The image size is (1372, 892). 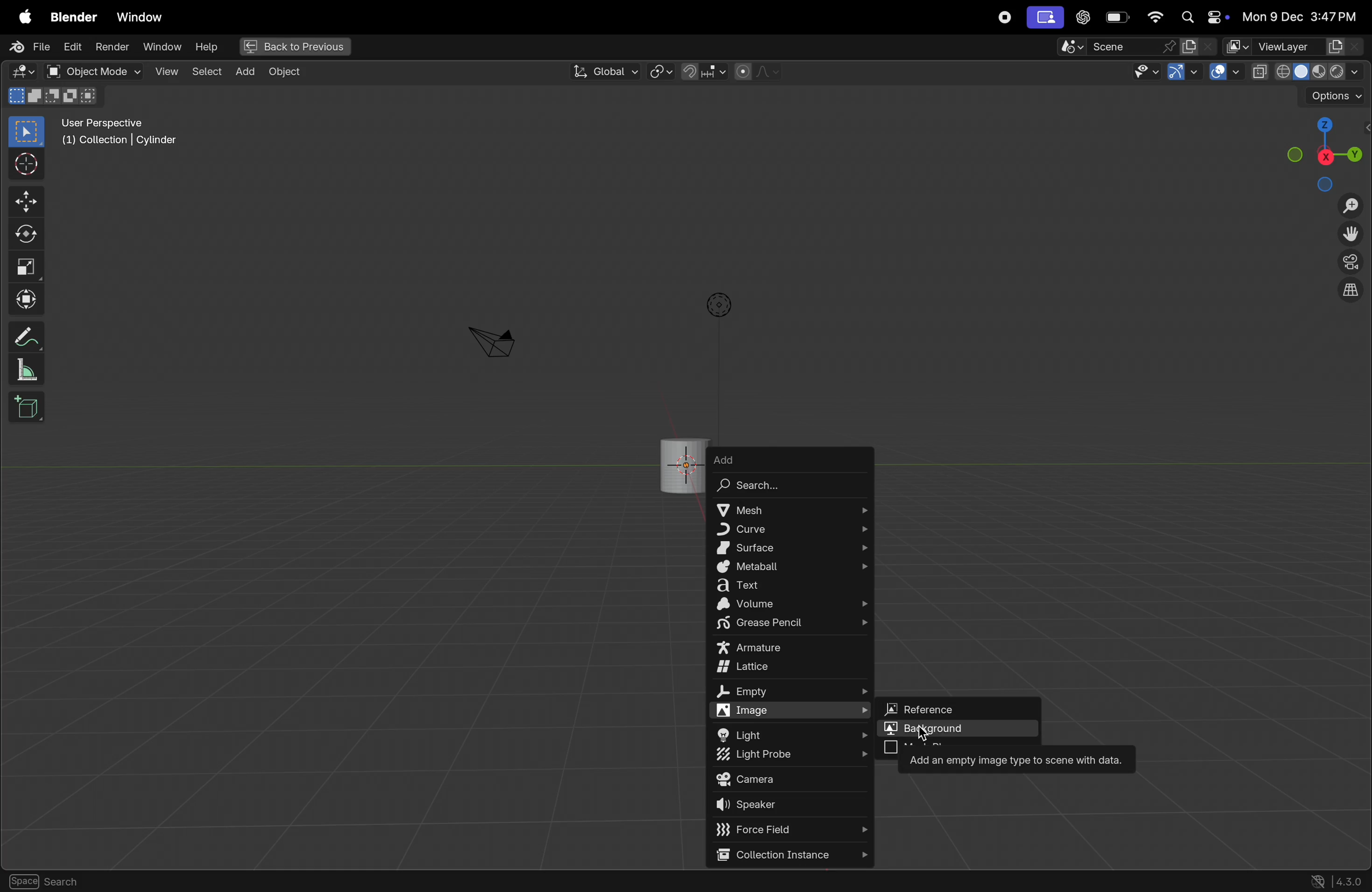 What do you see at coordinates (791, 508) in the screenshot?
I see `mesh` at bounding box center [791, 508].